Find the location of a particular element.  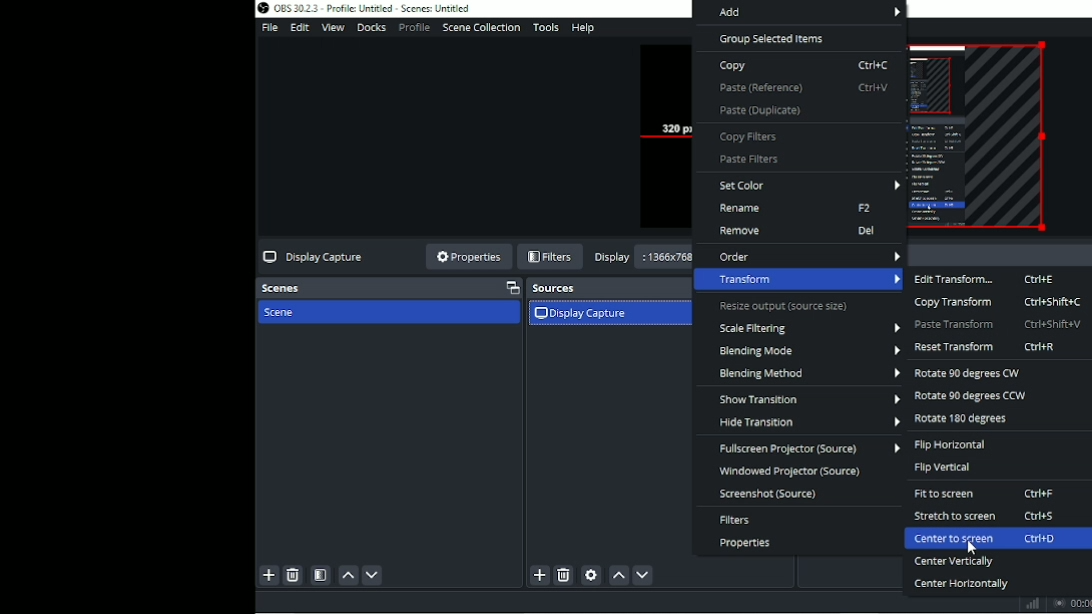

Set color is located at coordinates (808, 184).